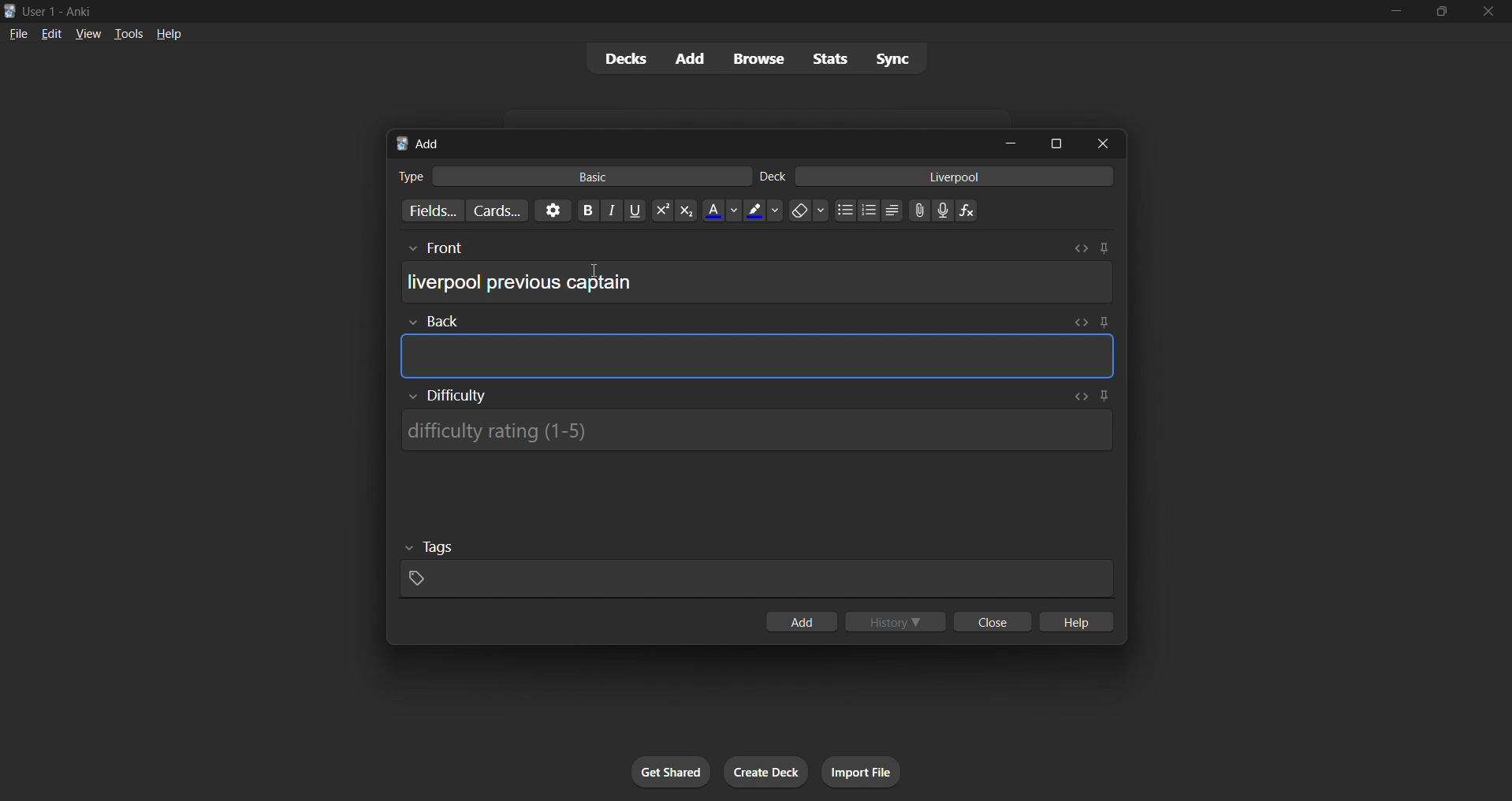  What do you see at coordinates (87, 33) in the screenshot?
I see `view` at bounding box center [87, 33].